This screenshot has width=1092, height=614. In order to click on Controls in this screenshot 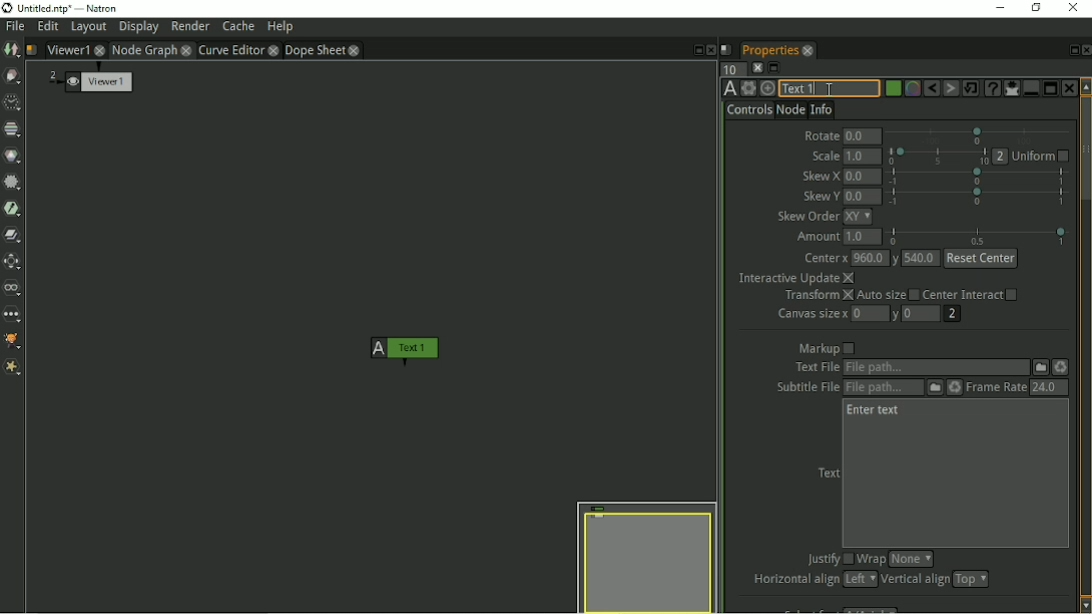, I will do `click(749, 111)`.